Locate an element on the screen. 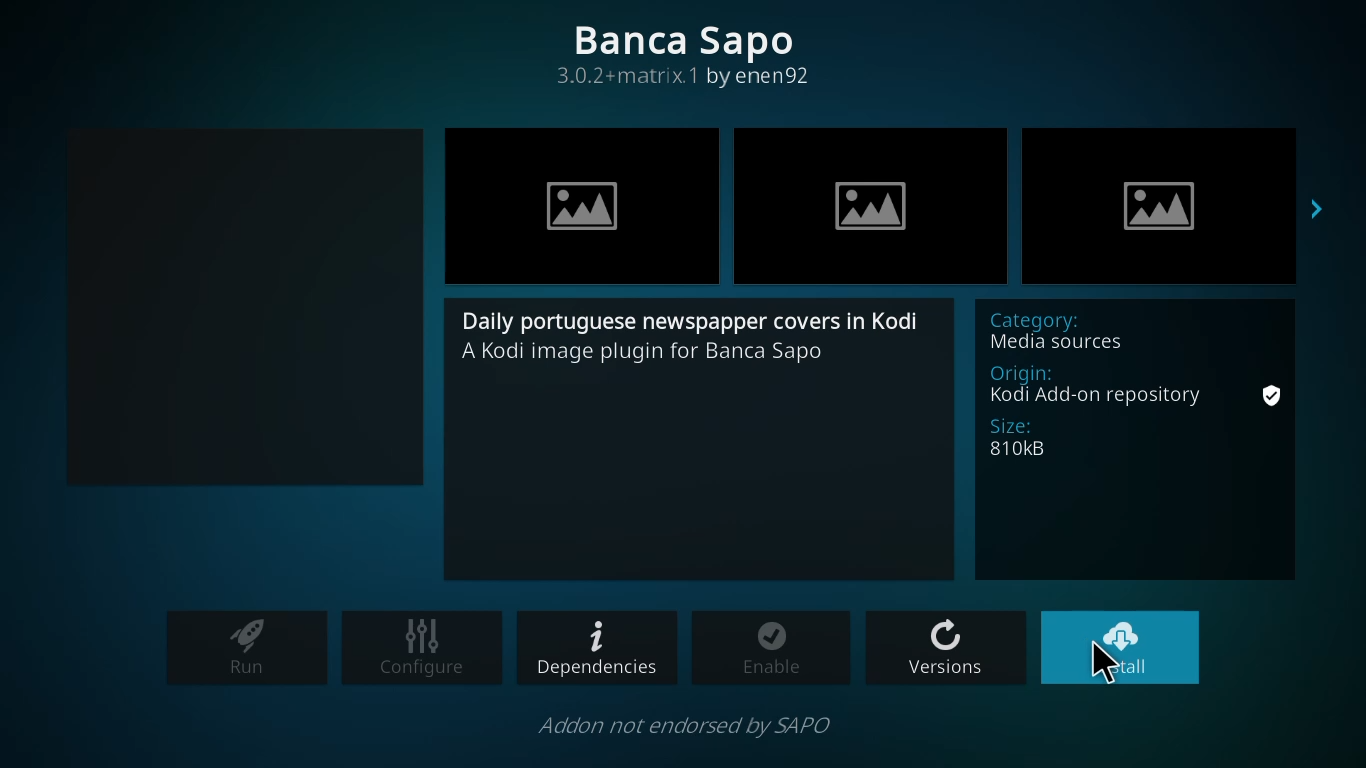 The height and width of the screenshot is (768, 1366). enable is located at coordinates (771, 648).